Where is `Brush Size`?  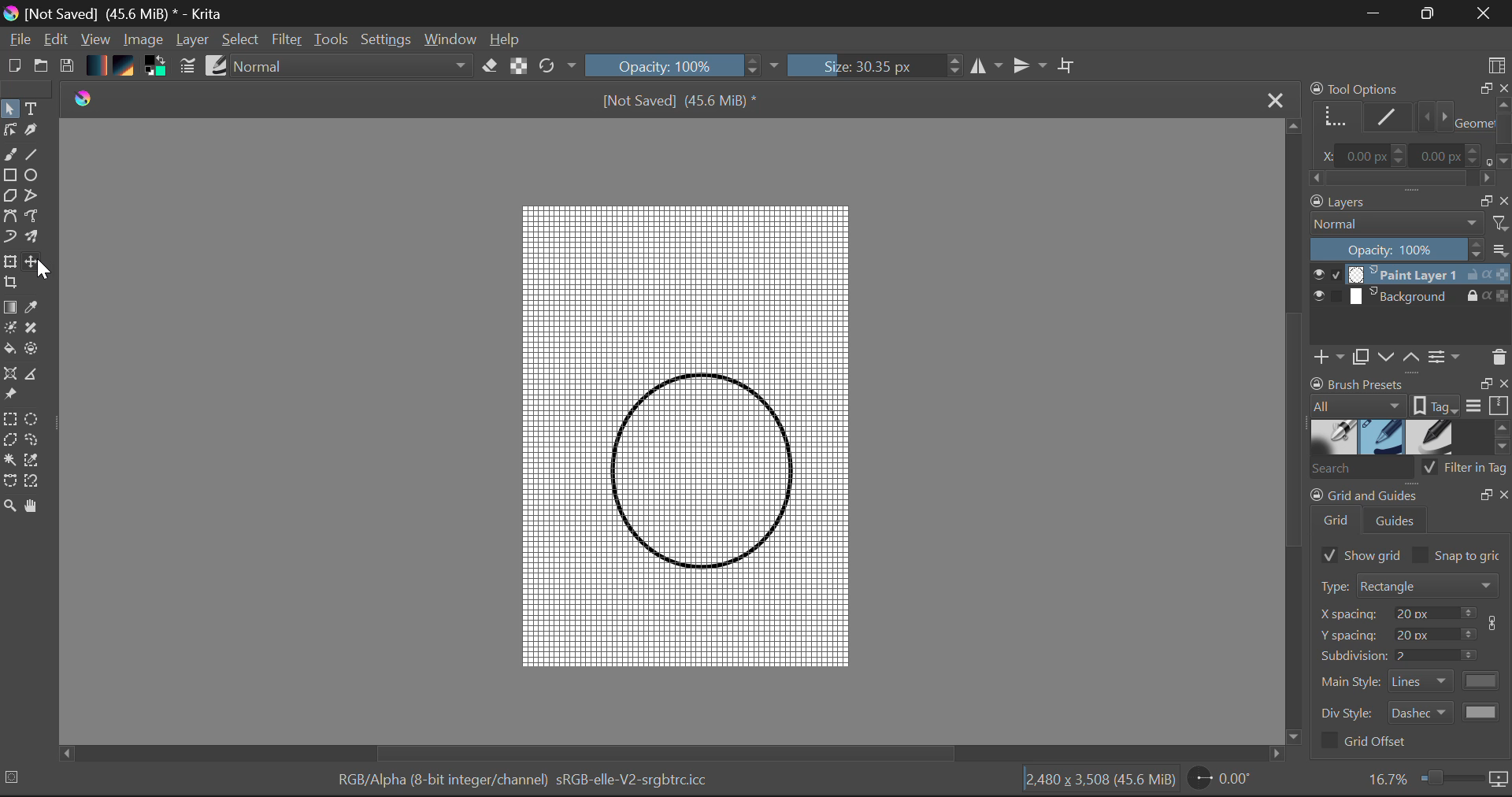
Brush Size is located at coordinates (876, 66).